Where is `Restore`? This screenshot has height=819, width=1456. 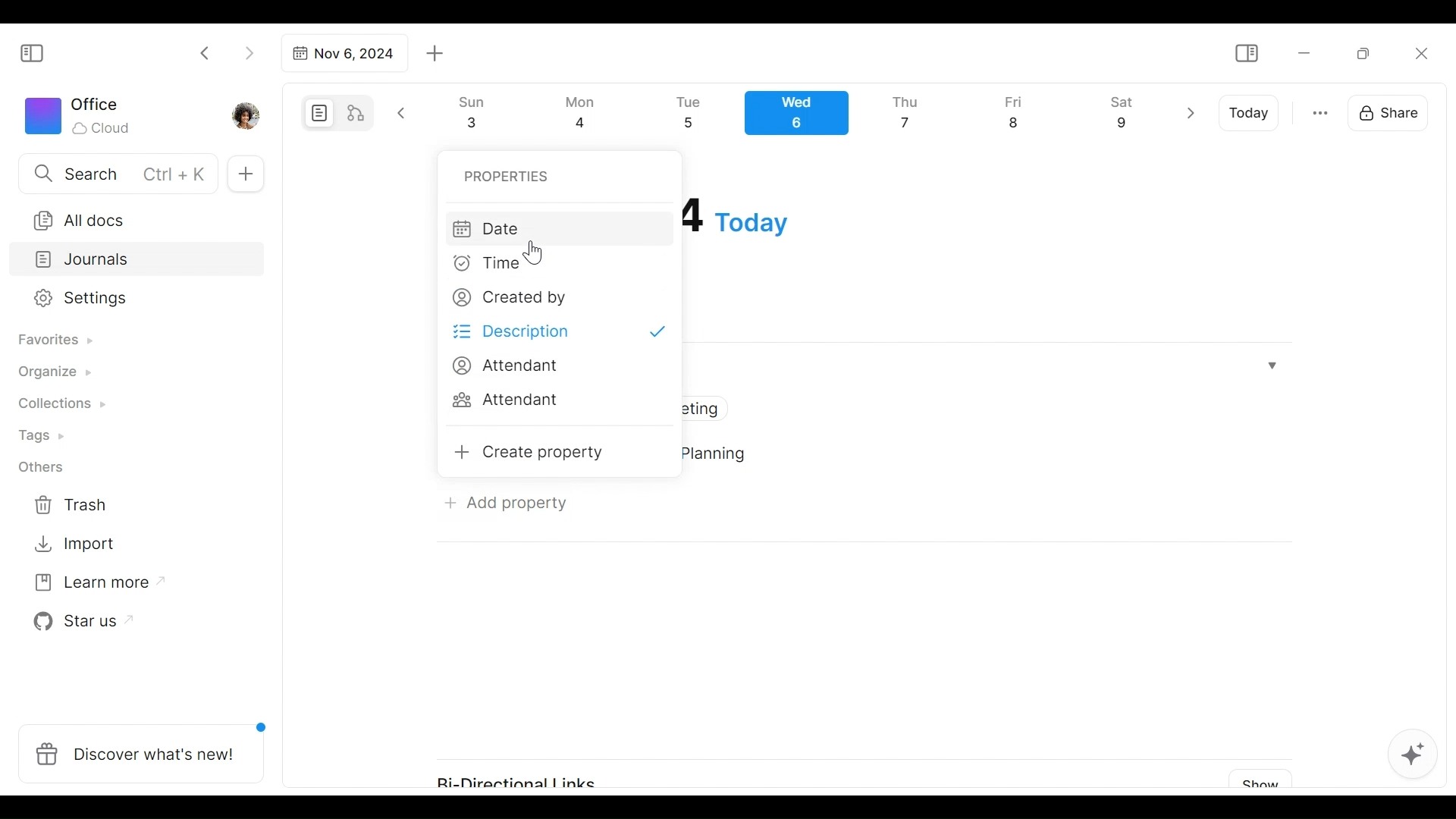 Restore is located at coordinates (1369, 52).